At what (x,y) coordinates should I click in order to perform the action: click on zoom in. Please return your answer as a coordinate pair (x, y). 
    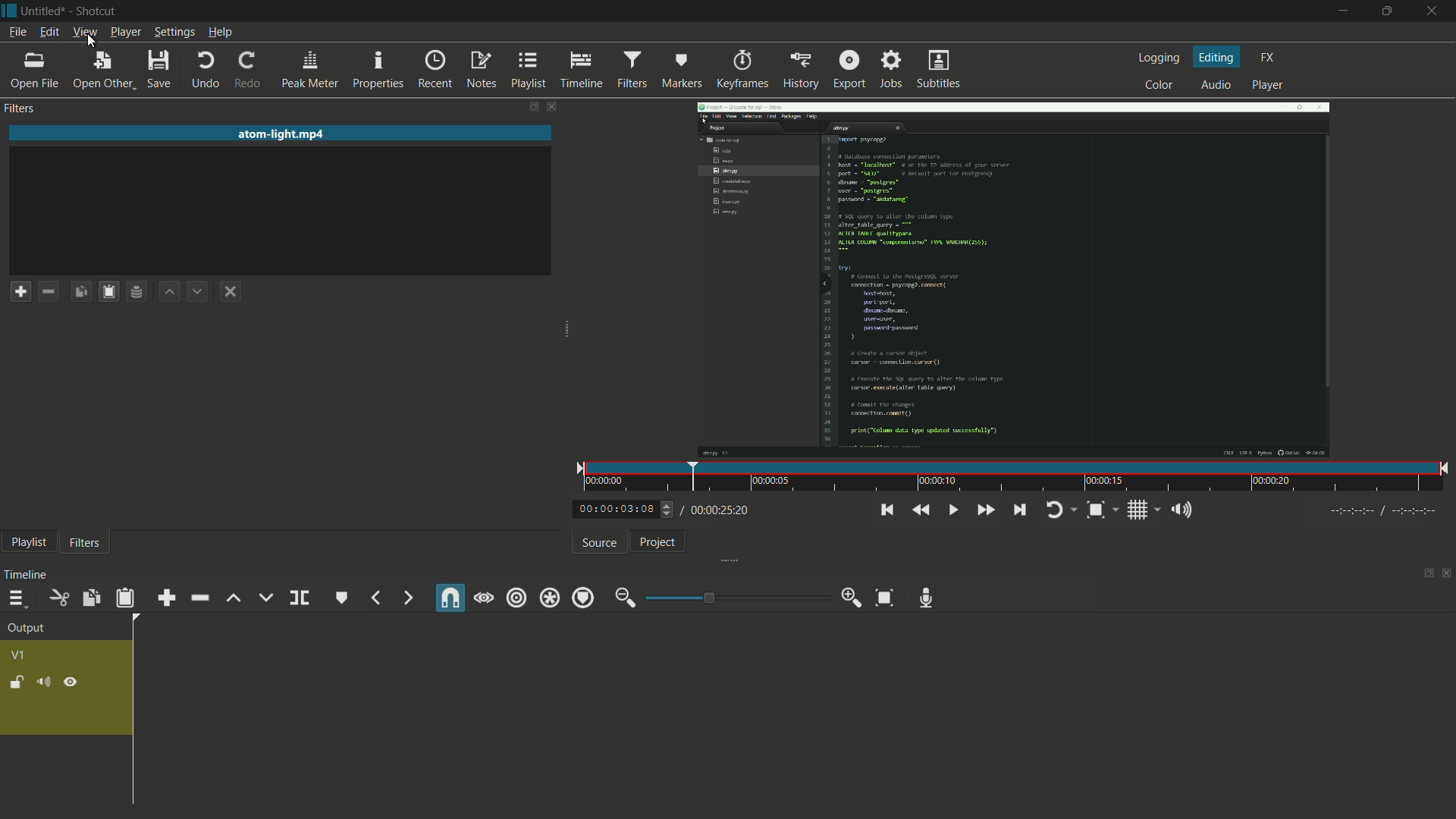
    Looking at the image, I should click on (849, 598).